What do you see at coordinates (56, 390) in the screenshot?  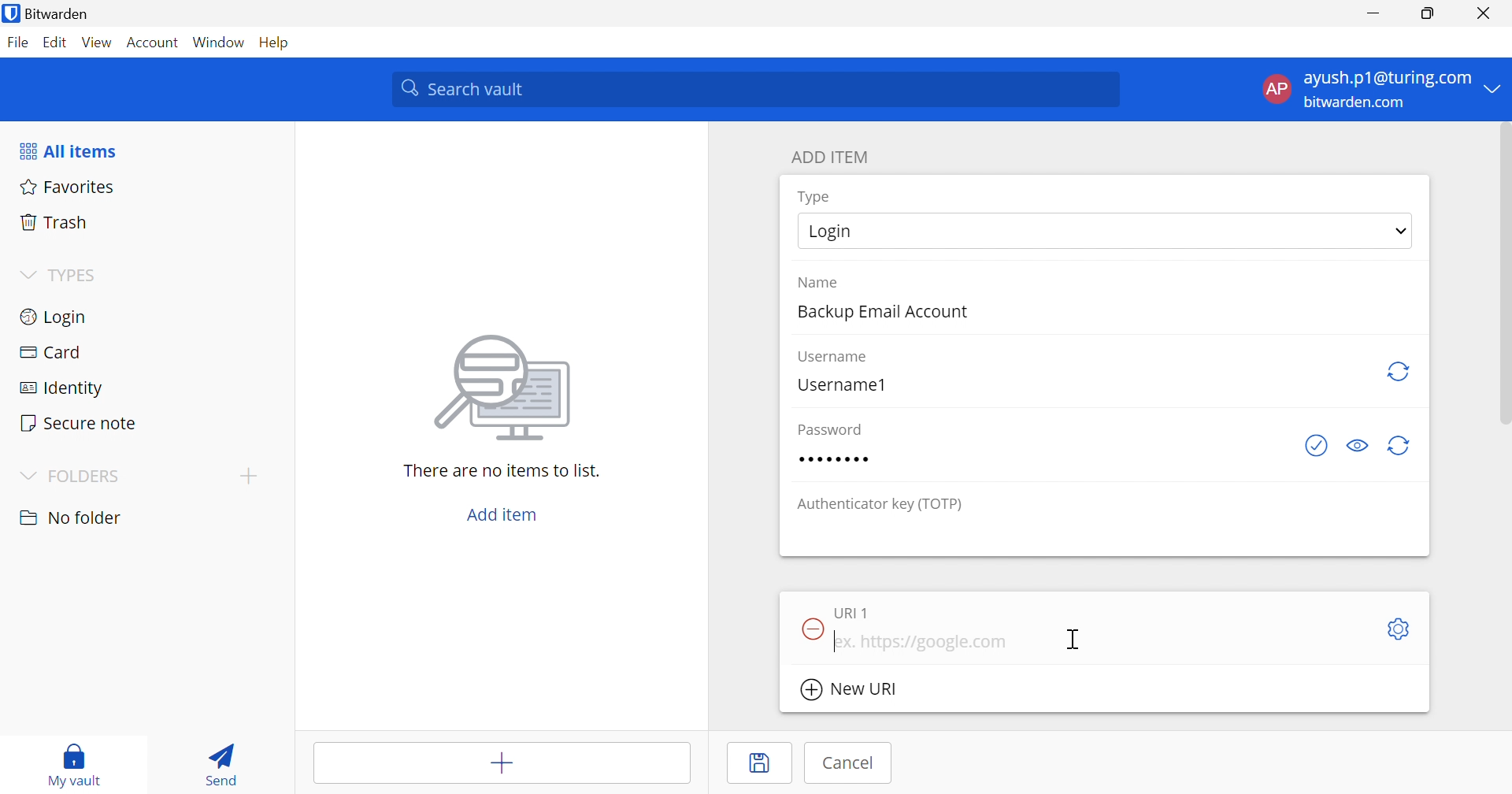 I see `Identity` at bounding box center [56, 390].